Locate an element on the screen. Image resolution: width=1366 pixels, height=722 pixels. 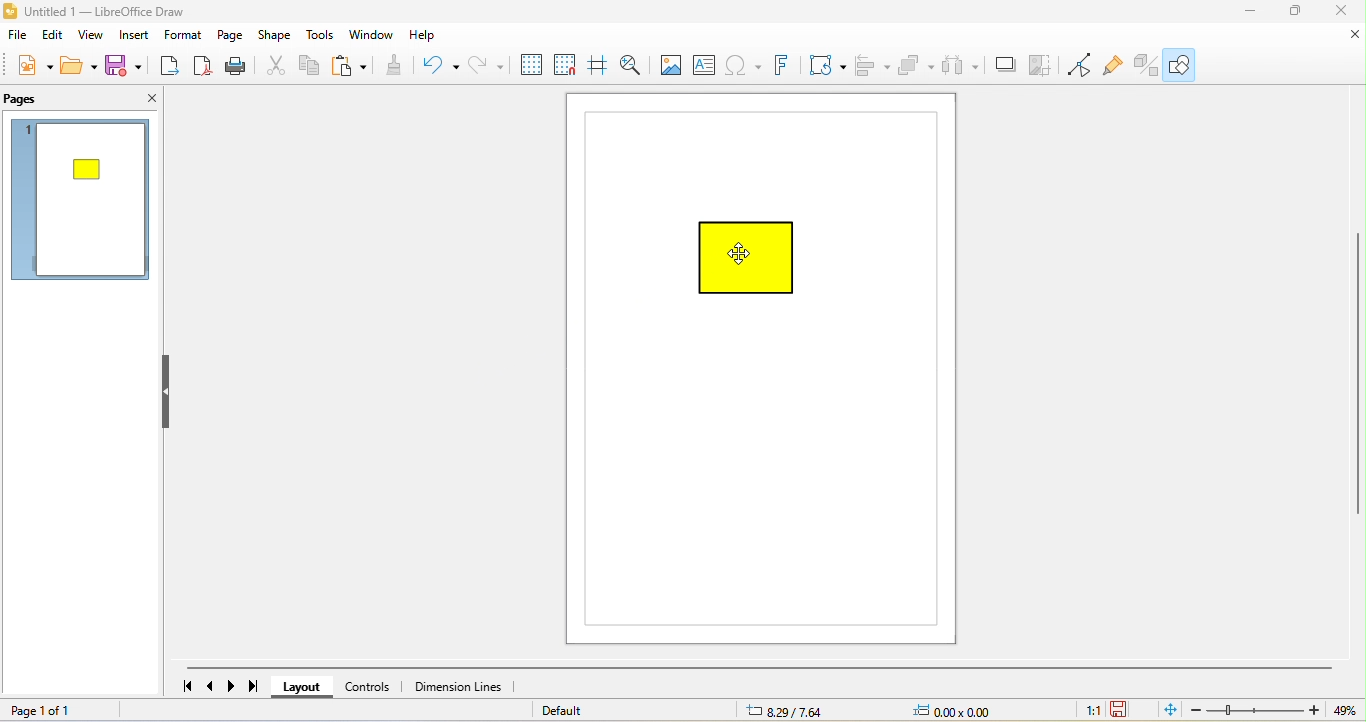
format is located at coordinates (187, 37).